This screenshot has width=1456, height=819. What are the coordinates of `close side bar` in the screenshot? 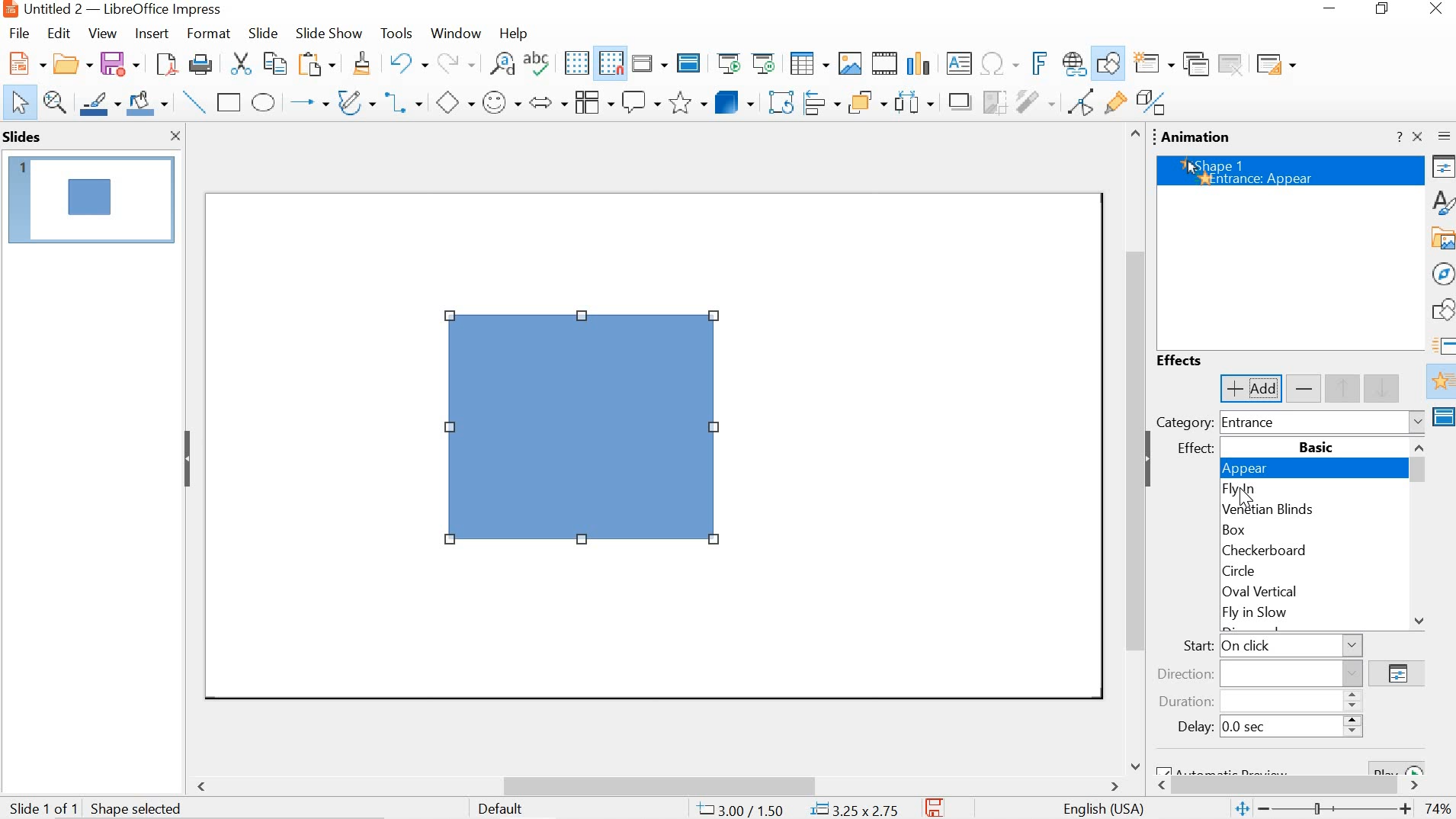 It's located at (1417, 136).